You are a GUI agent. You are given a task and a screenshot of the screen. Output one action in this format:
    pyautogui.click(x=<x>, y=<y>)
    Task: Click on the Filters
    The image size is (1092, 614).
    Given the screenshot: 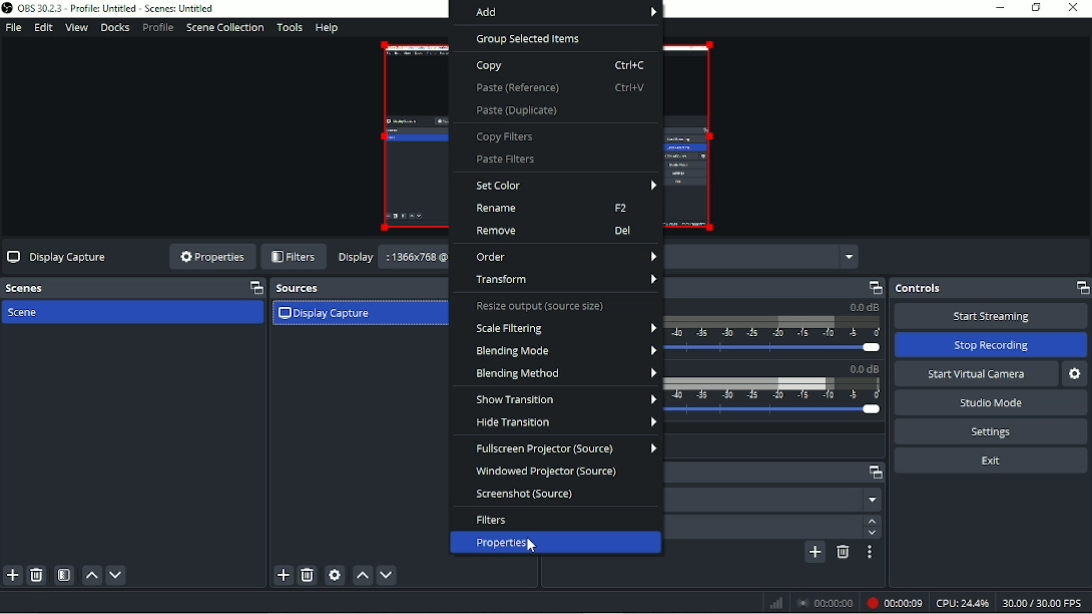 What is the action you would take?
    pyautogui.click(x=293, y=257)
    